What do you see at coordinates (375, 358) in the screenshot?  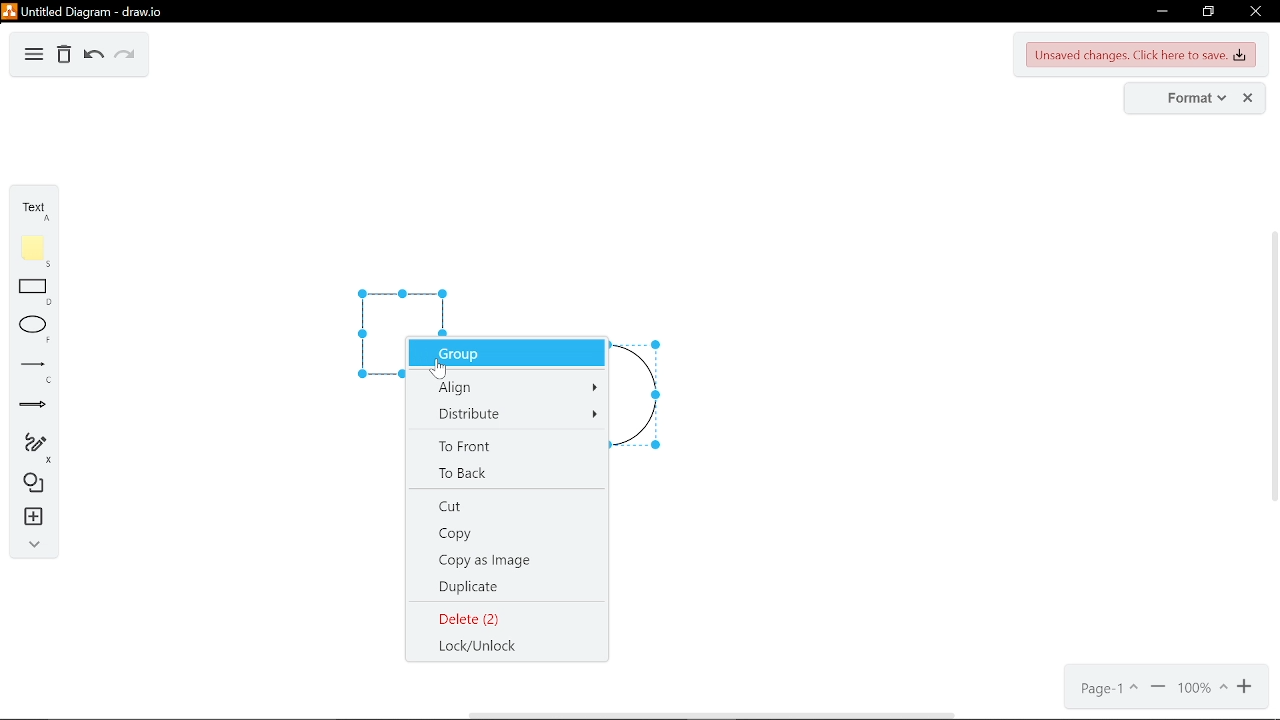 I see `square selected` at bounding box center [375, 358].